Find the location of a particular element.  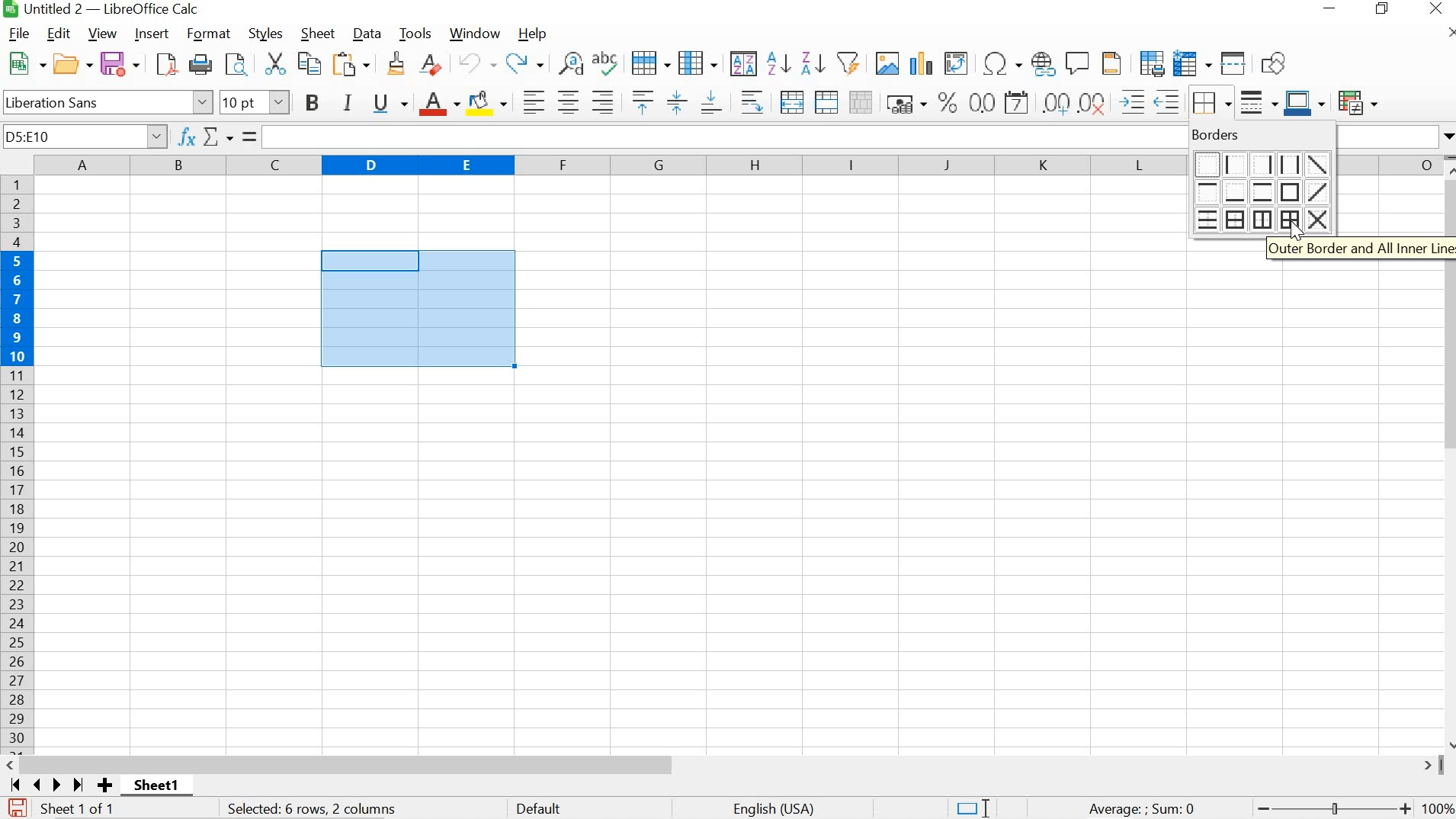

criss-cross border is located at coordinates (1316, 217).